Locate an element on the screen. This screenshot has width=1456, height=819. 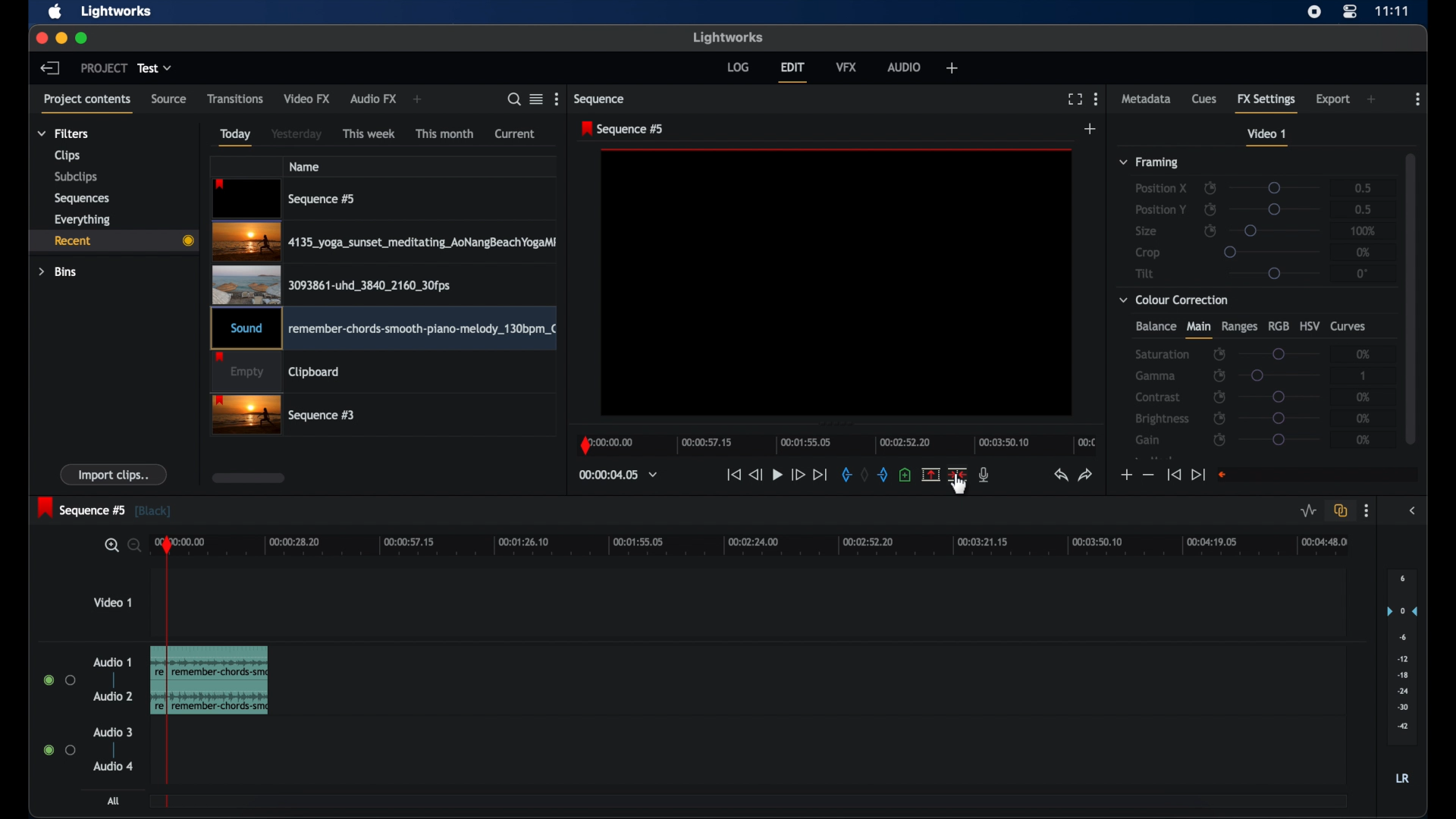
radio buttons is located at coordinates (59, 749).